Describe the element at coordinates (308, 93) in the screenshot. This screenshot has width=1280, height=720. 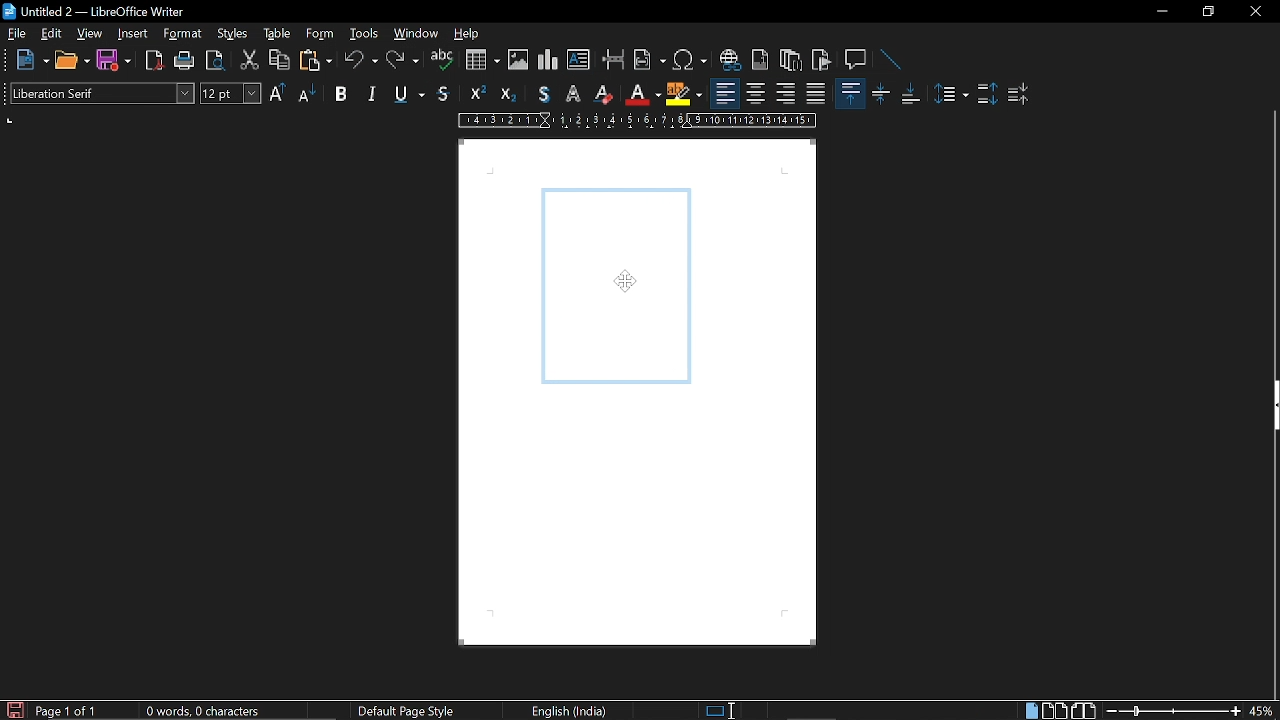
I see `Decrease text size` at that location.